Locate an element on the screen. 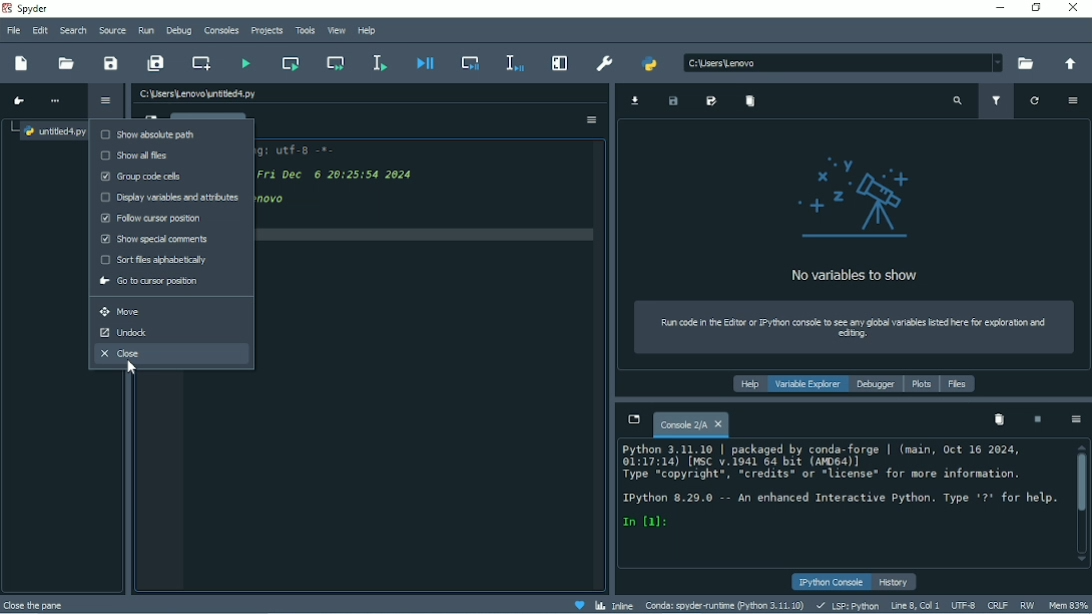 This screenshot has height=614, width=1092. Run selection or current line is located at coordinates (380, 62).